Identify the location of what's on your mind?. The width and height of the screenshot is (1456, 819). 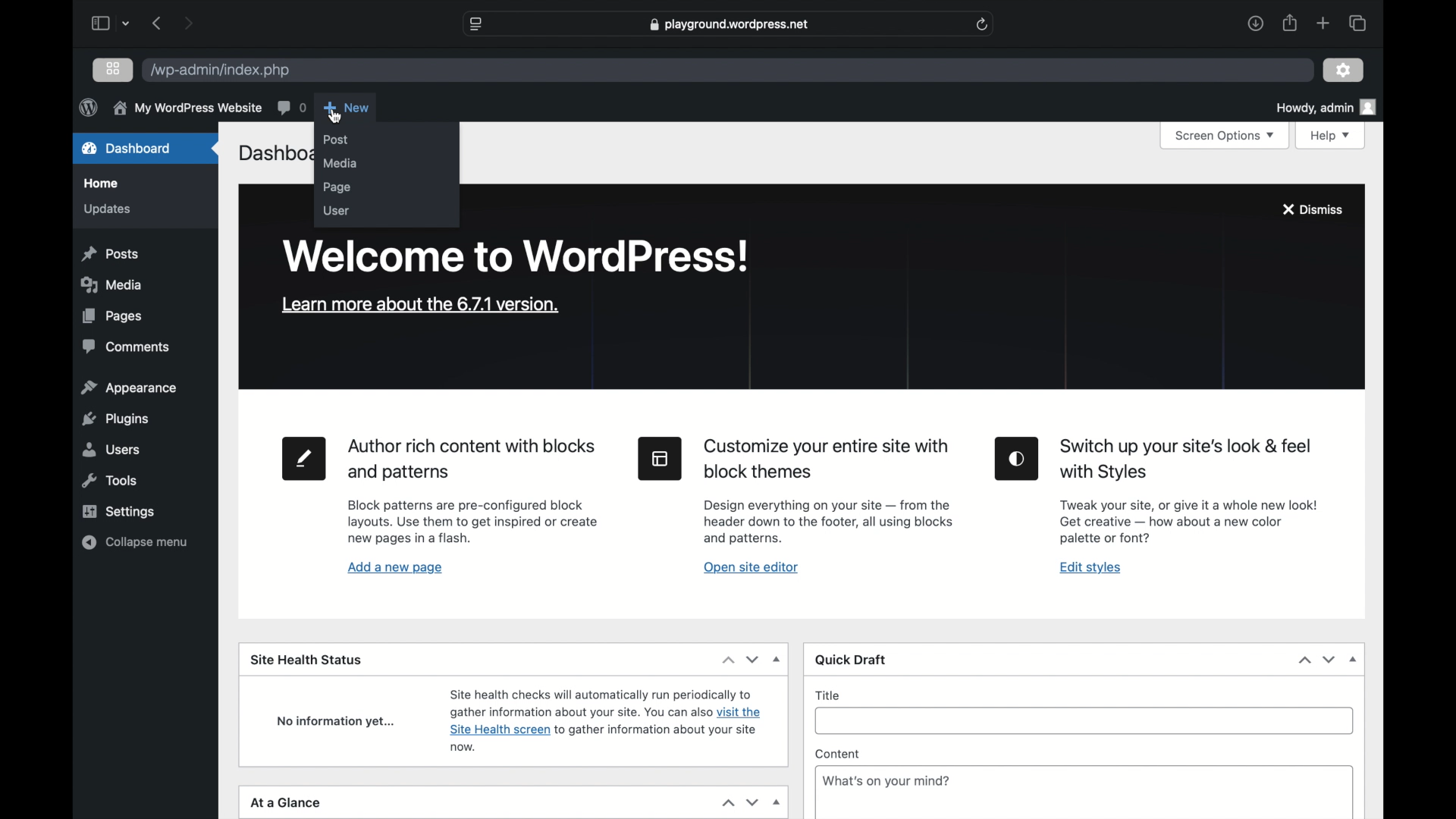
(886, 780).